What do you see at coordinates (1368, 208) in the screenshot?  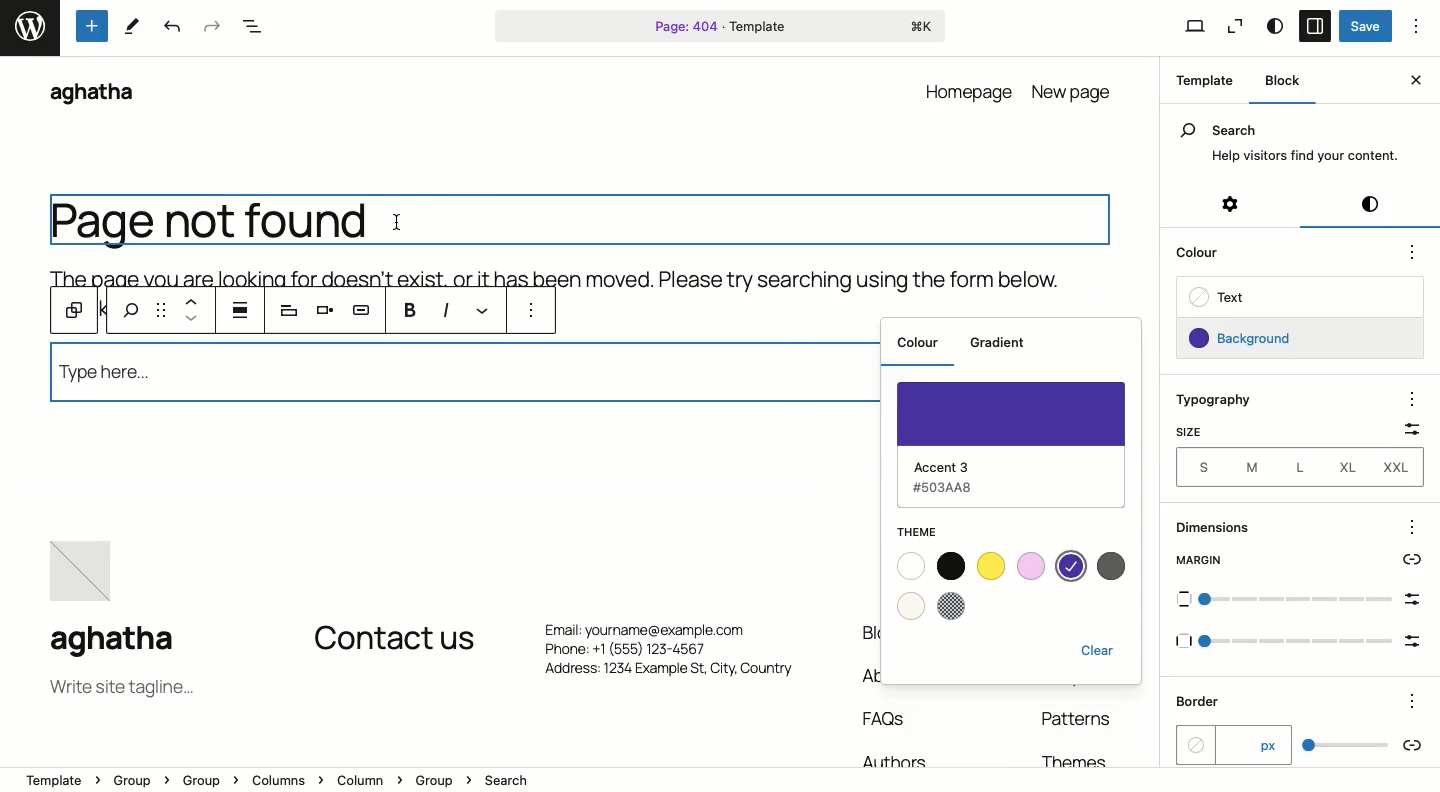 I see `Styles` at bounding box center [1368, 208].